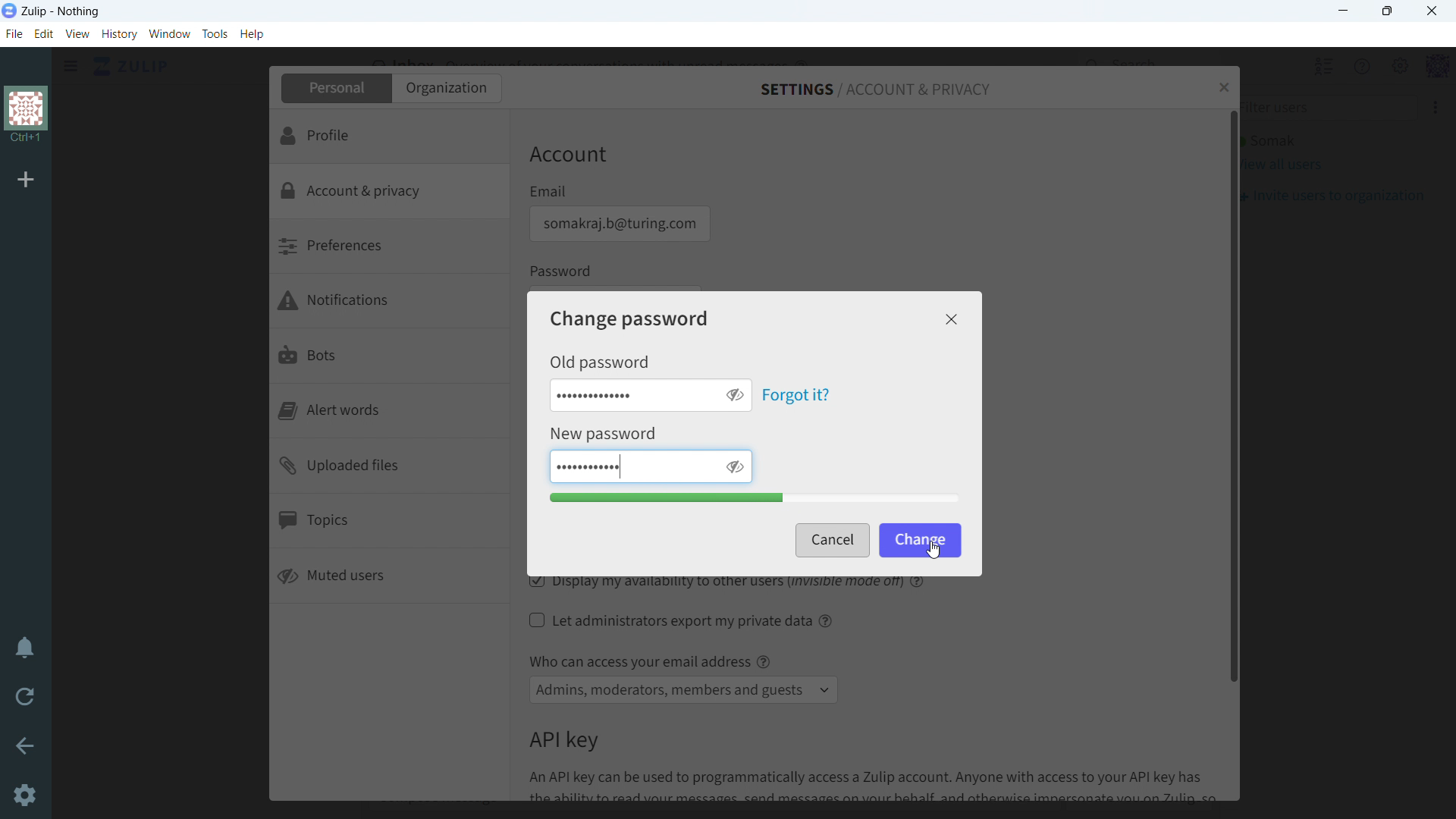 Image resolution: width=1456 pixels, height=819 pixels. Describe the element at coordinates (334, 88) in the screenshot. I see `personal` at that location.